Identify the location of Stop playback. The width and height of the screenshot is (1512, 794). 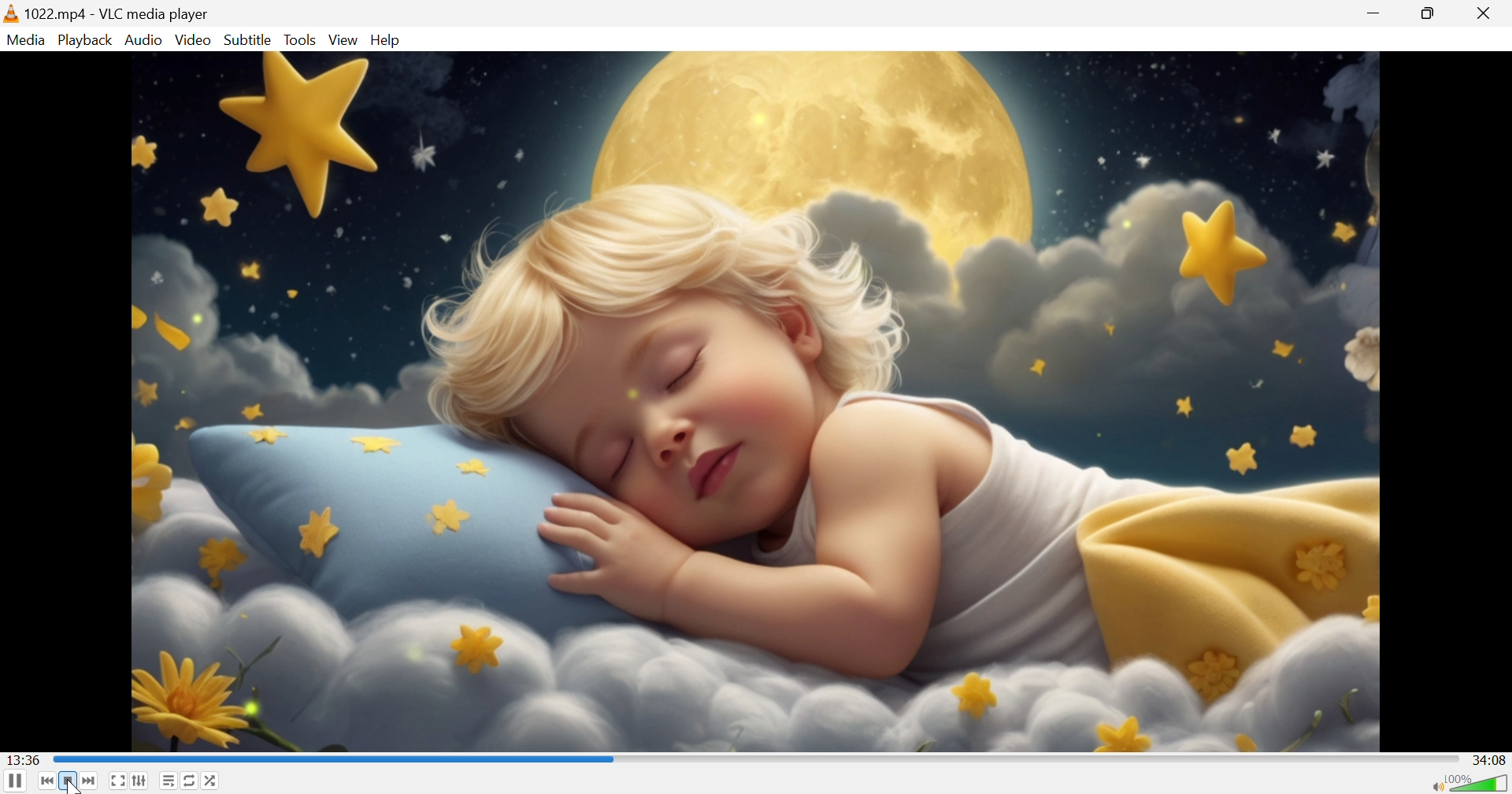
(70, 781).